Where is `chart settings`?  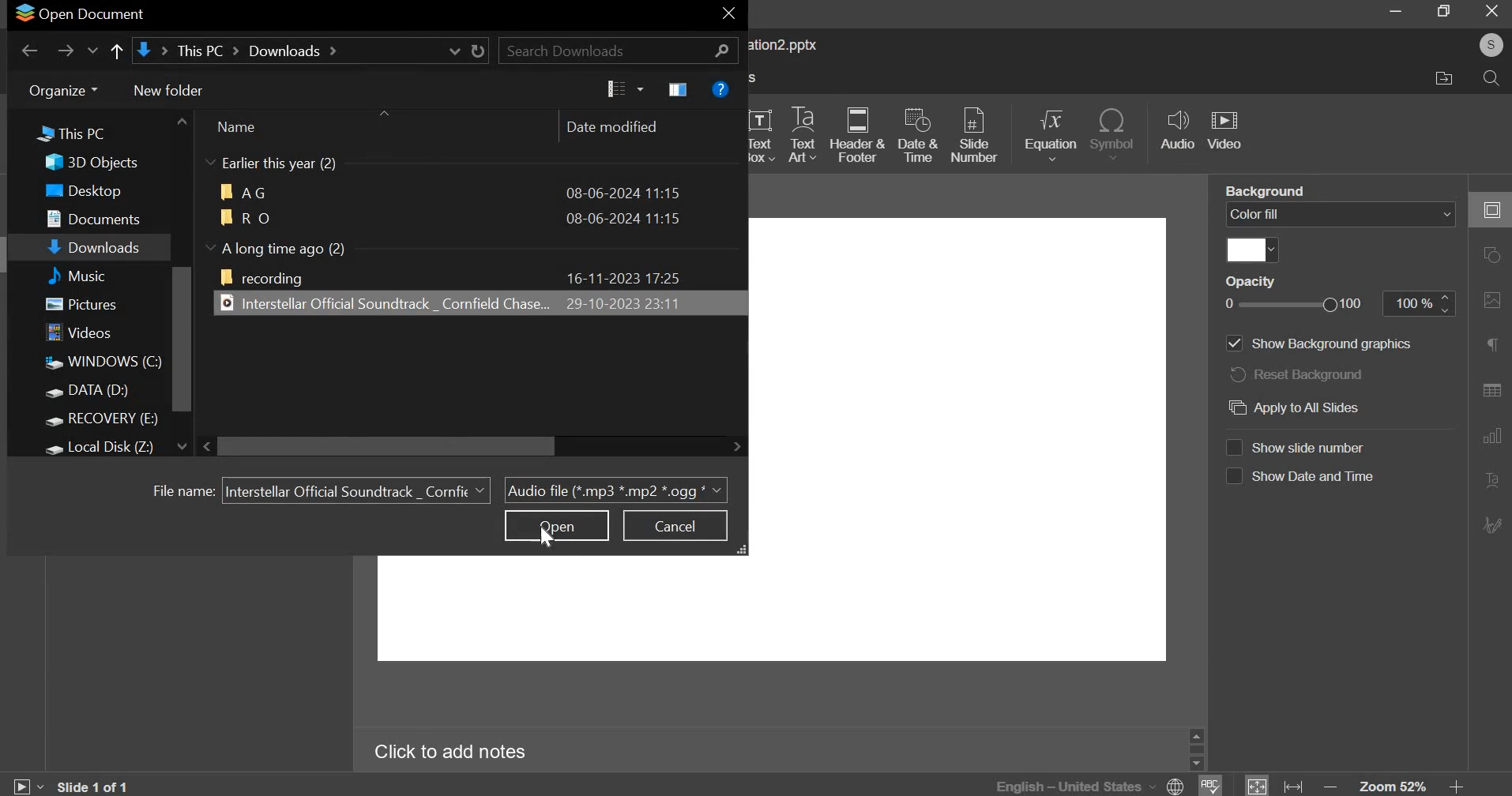 chart settings is located at coordinates (1491, 436).